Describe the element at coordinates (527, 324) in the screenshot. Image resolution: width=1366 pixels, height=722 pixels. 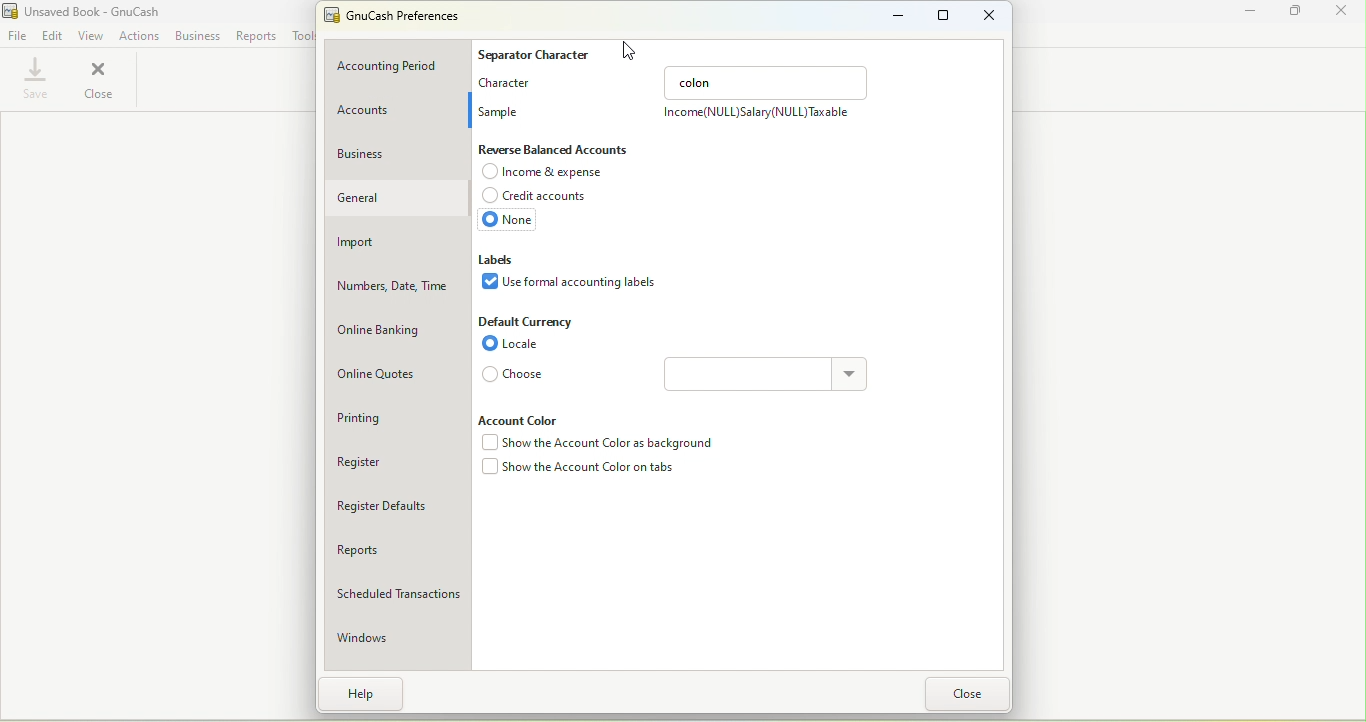
I see `Default Currency` at that location.